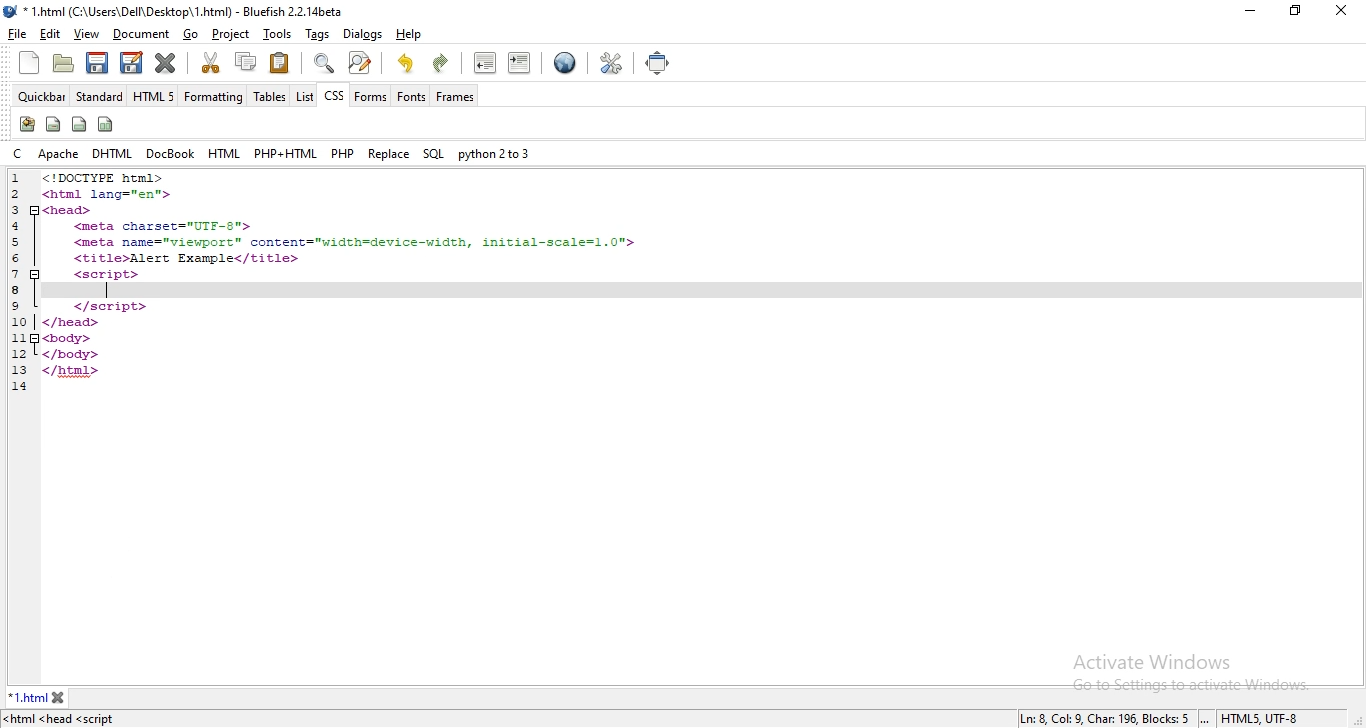 This screenshot has width=1366, height=728. Describe the element at coordinates (19, 225) in the screenshot. I see `4` at that location.